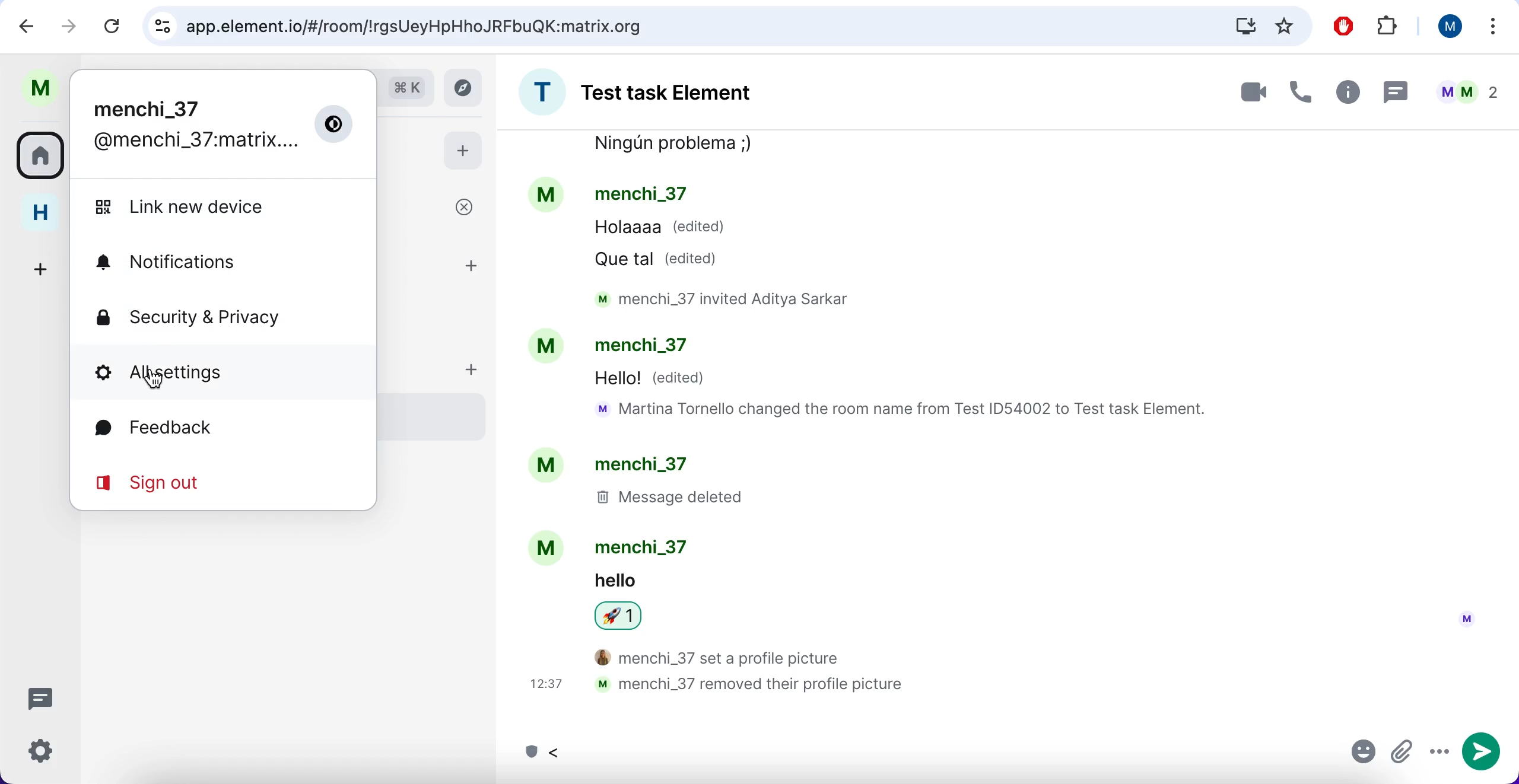  What do you see at coordinates (658, 92) in the screenshot?
I see `room chat` at bounding box center [658, 92].